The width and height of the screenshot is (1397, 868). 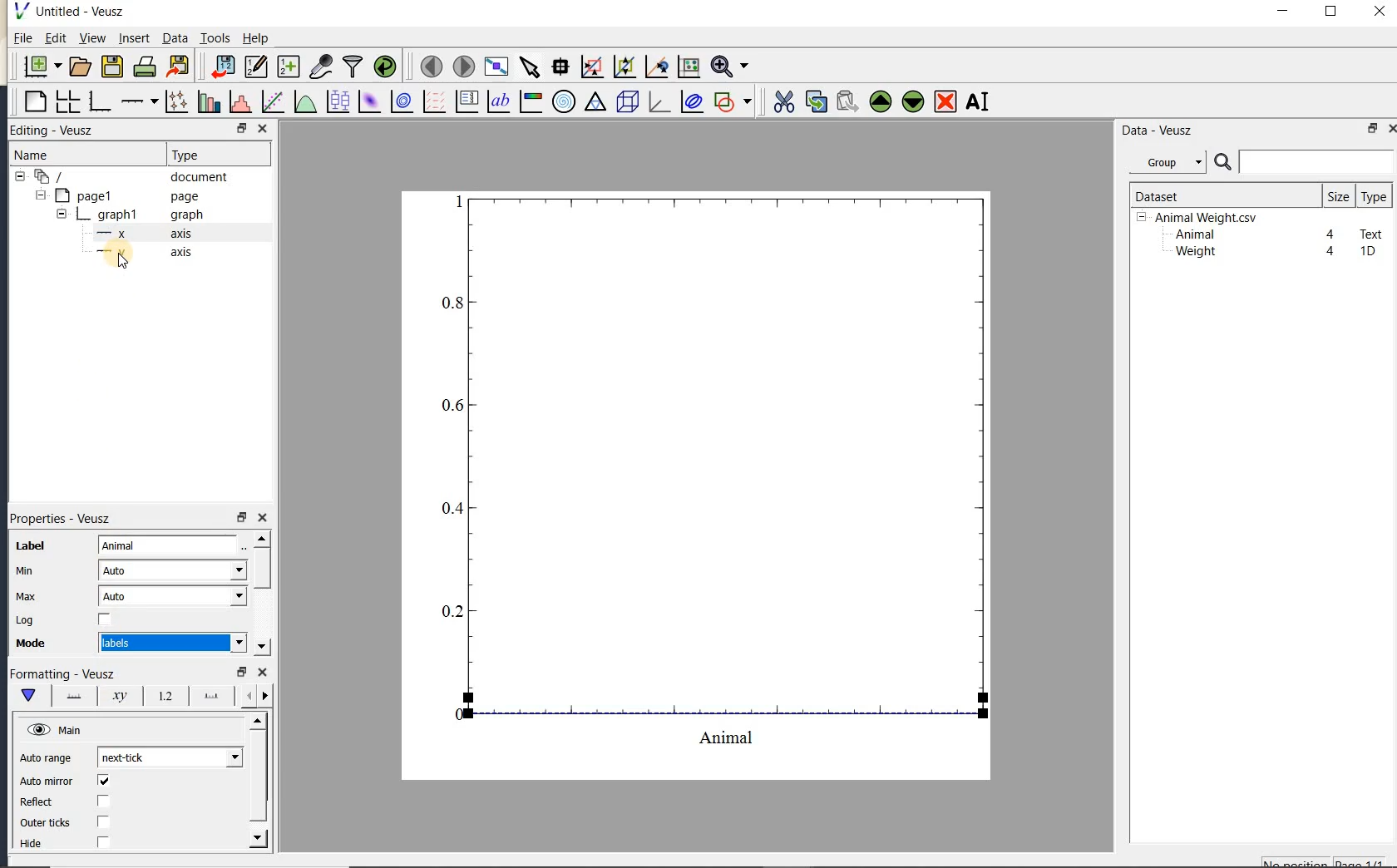 What do you see at coordinates (41, 844) in the screenshot?
I see `hide` at bounding box center [41, 844].